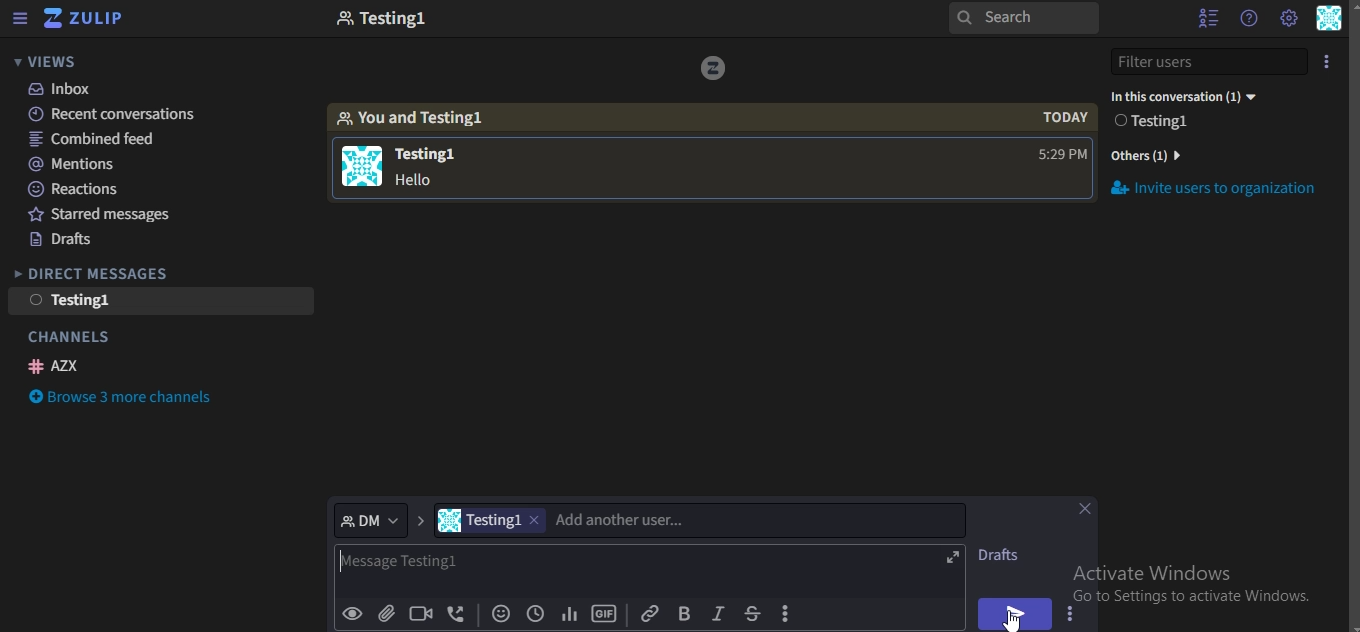  What do you see at coordinates (1005, 555) in the screenshot?
I see `draft` at bounding box center [1005, 555].